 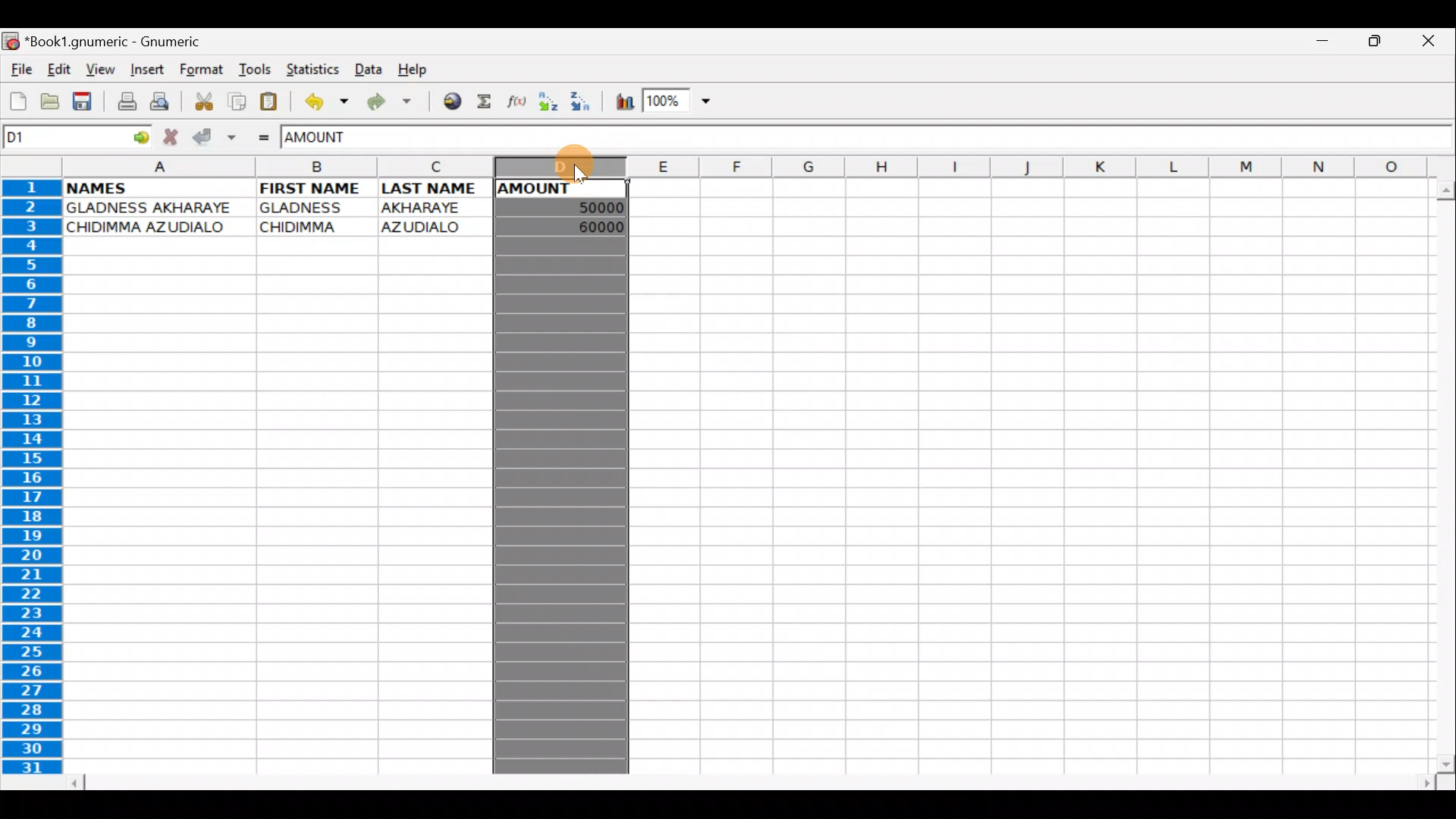 What do you see at coordinates (234, 101) in the screenshot?
I see `Copy selection` at bounding box center [234, 101].